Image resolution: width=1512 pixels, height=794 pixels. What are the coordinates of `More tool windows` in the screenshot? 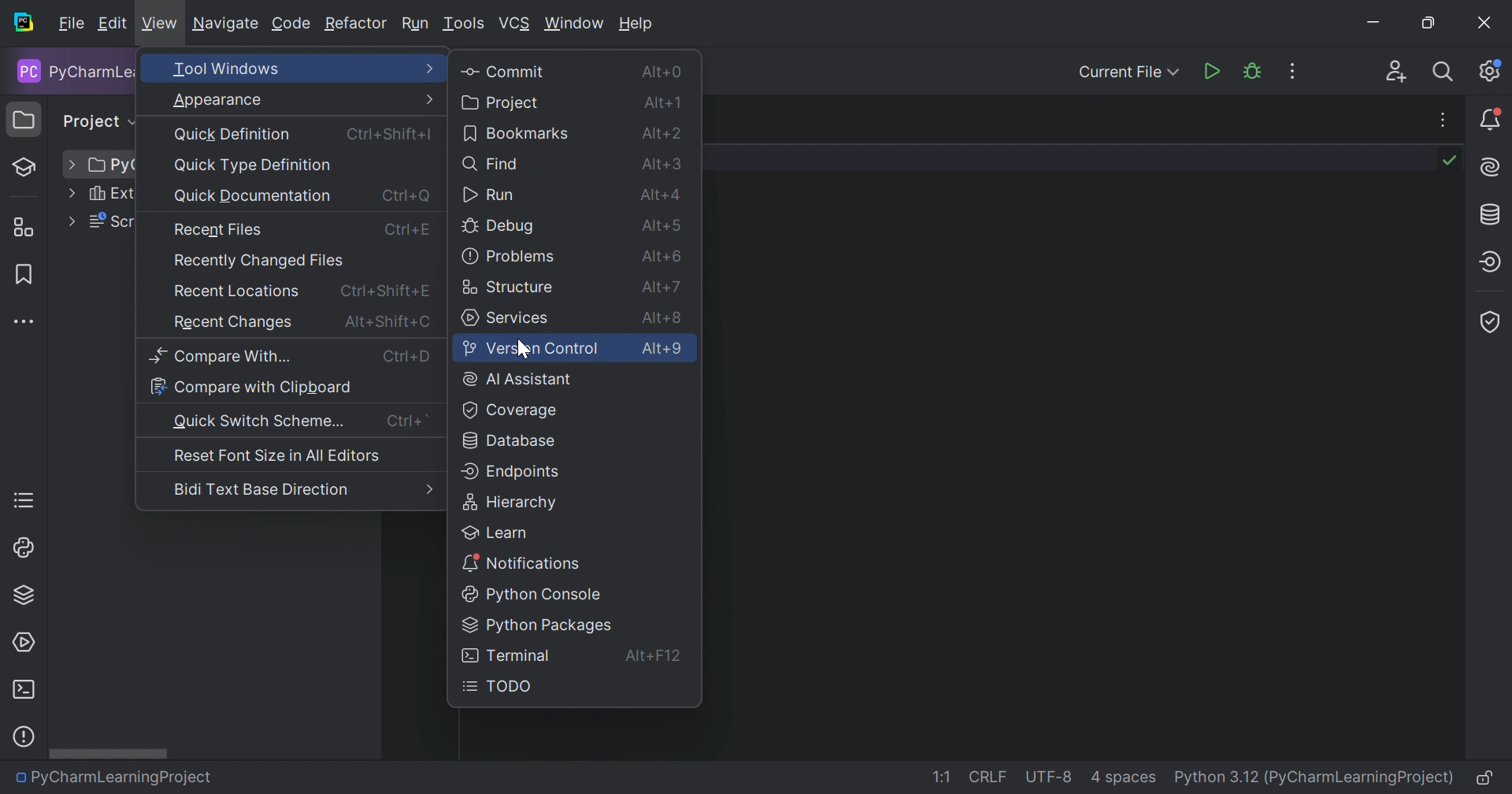 It's located at (23, 321).